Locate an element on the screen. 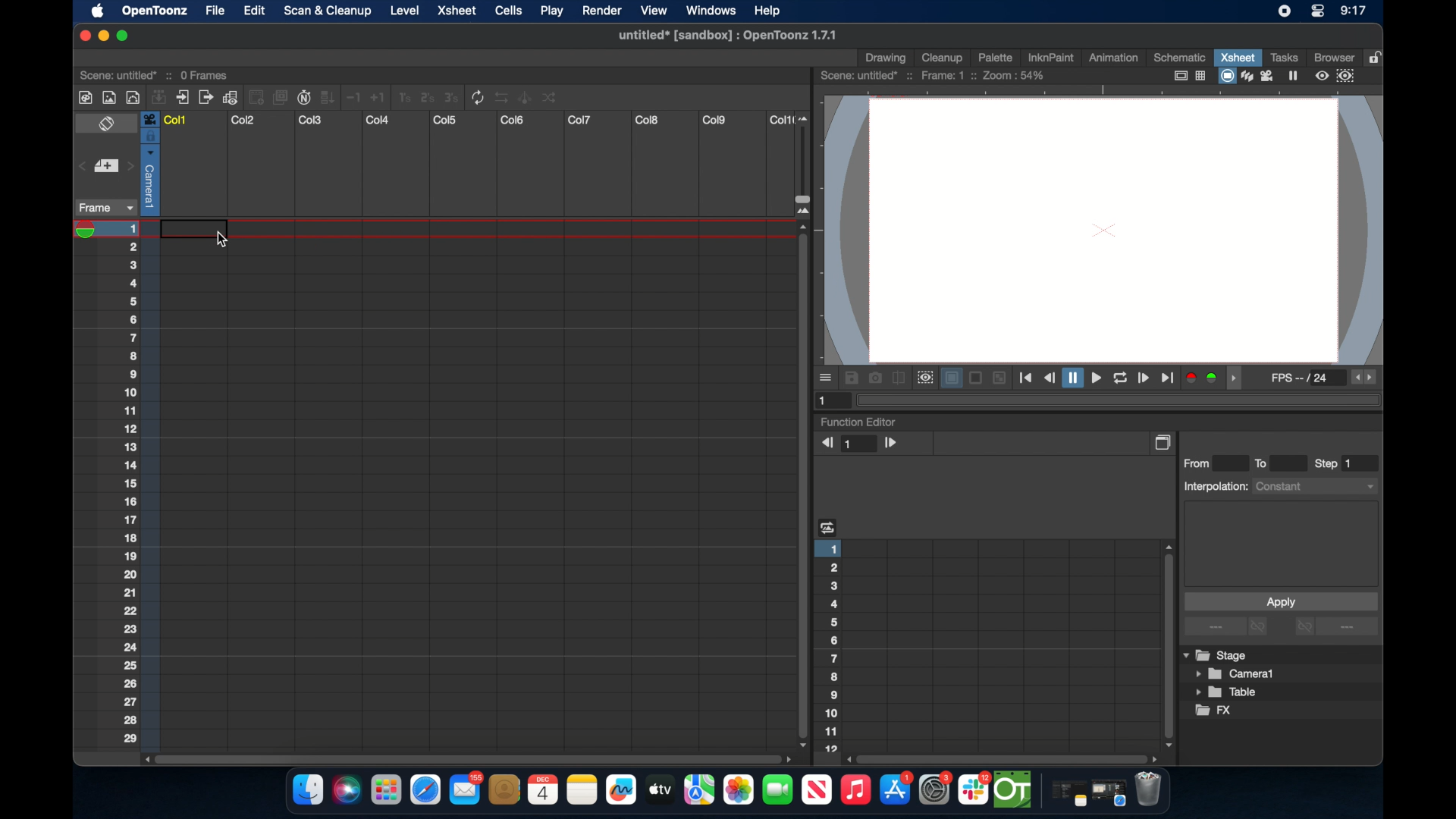  frame is located at coordinates (103, 208).